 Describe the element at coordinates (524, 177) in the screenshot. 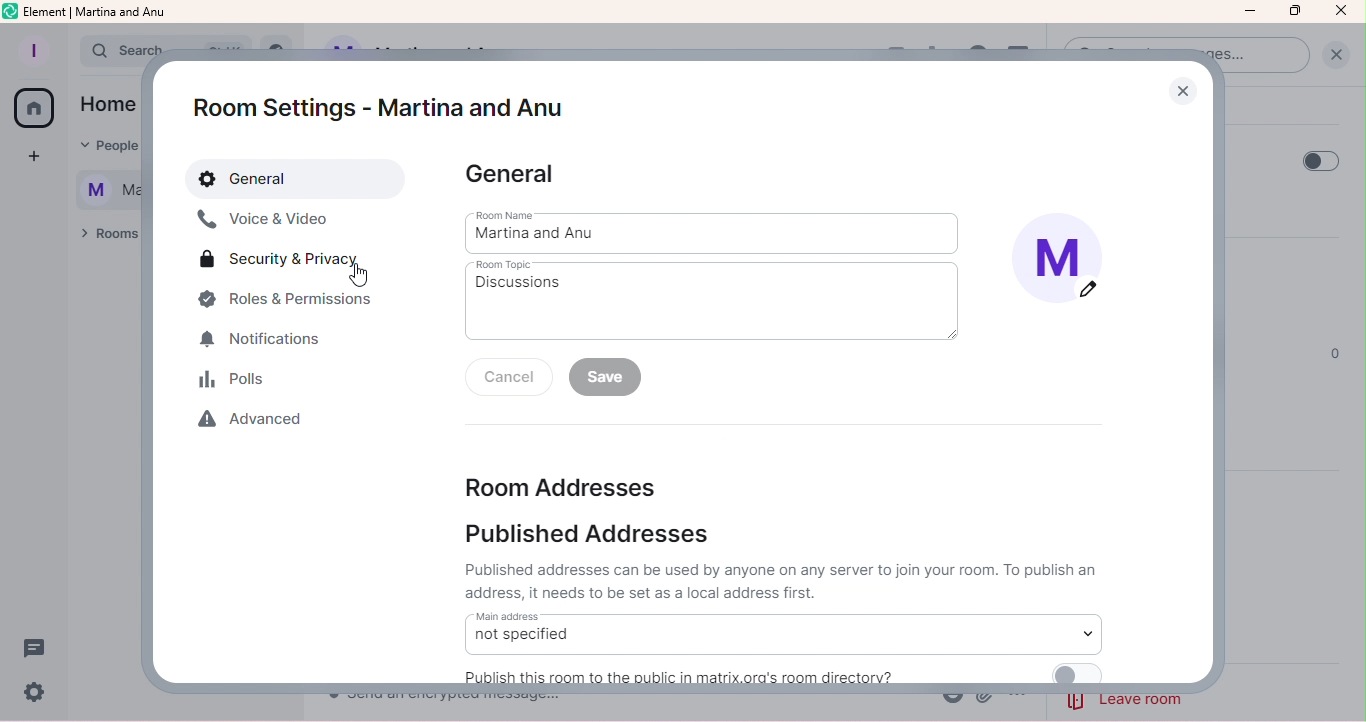

I see `General` at that location.